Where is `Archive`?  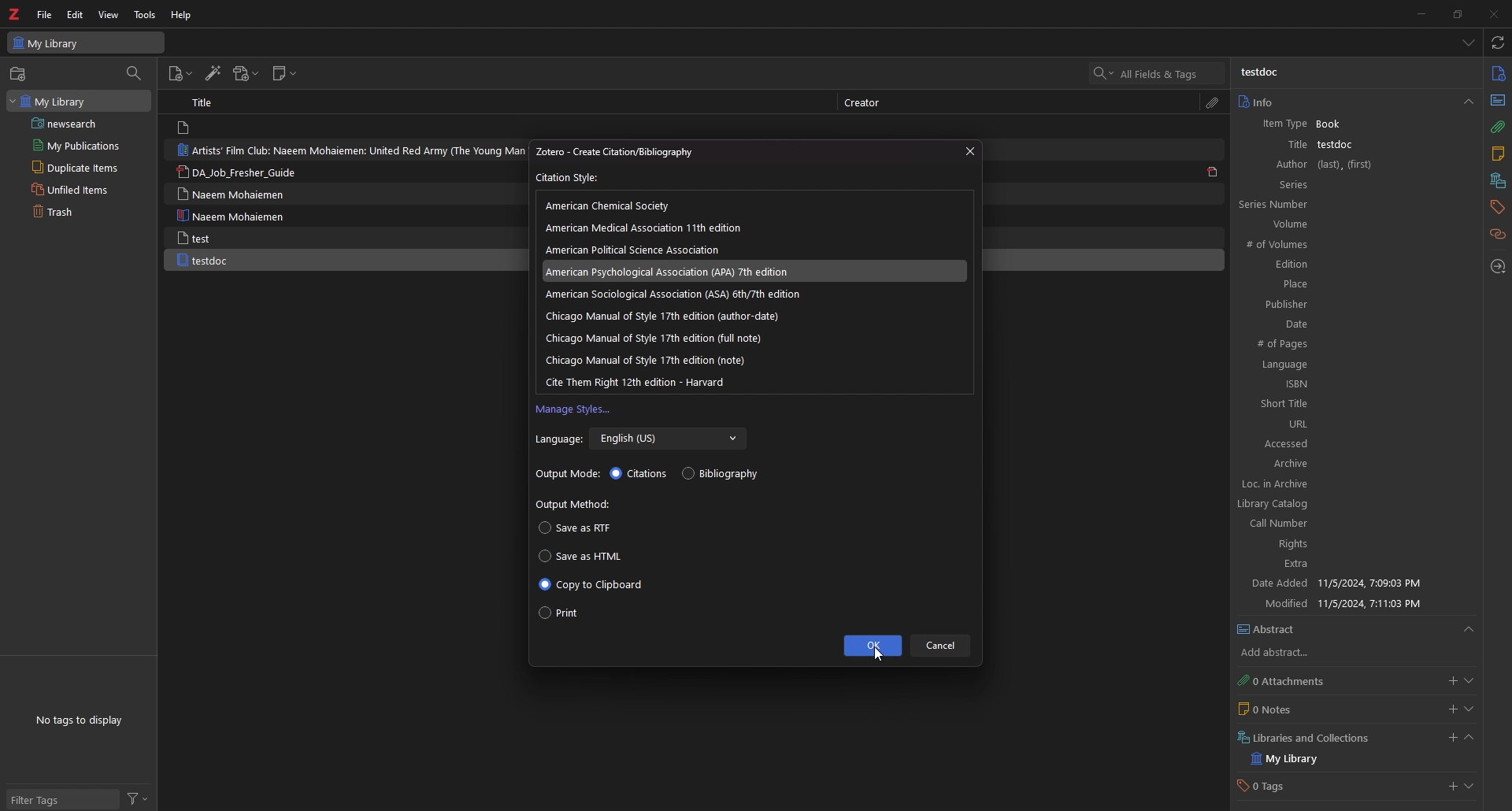 Archive is located at coordinates (1352, 465).